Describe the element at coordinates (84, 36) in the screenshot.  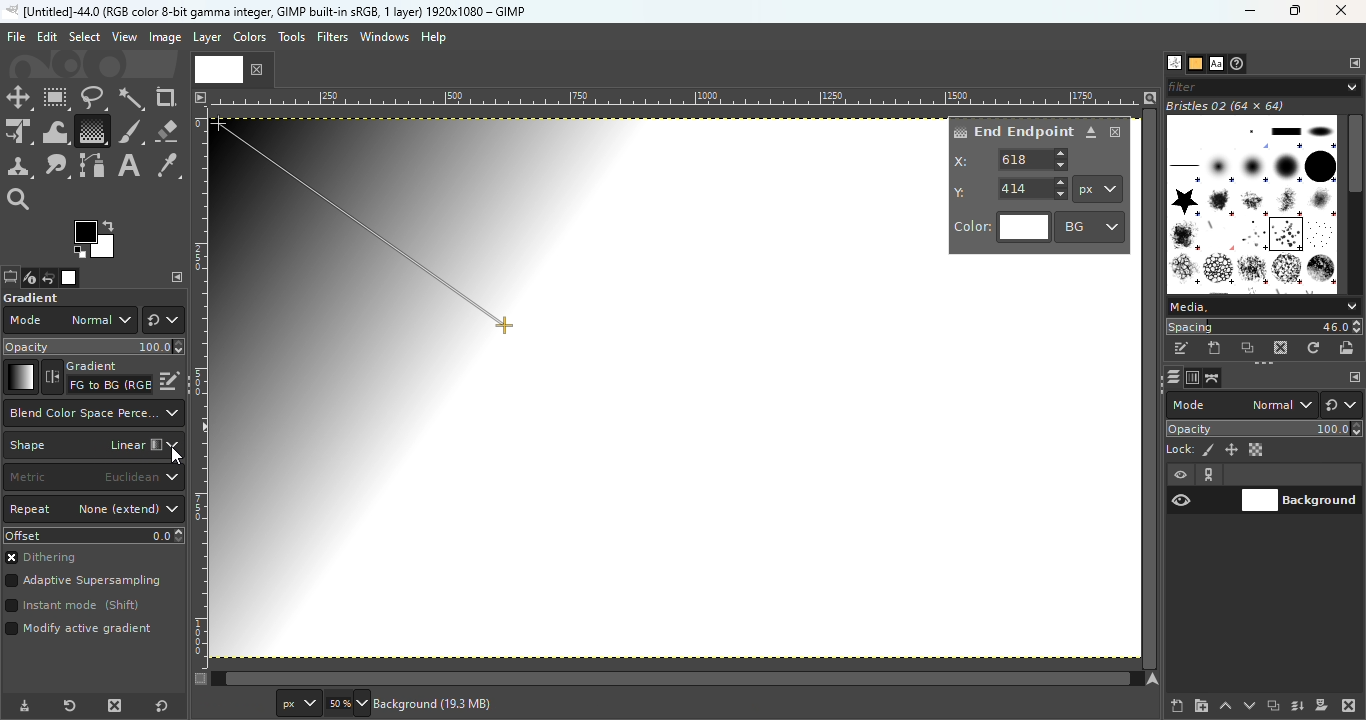
I see `Select` at that location.